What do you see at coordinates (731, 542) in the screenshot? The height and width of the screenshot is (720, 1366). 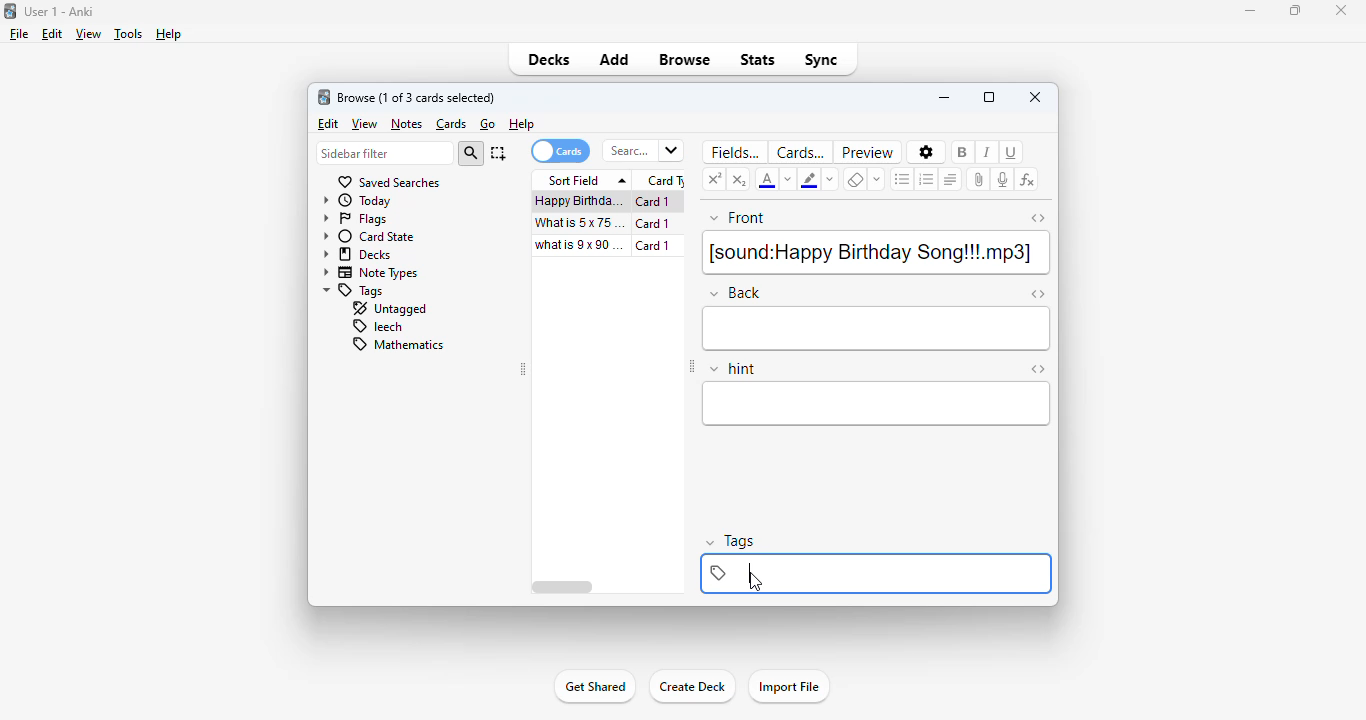 I see `tags` at bounding box center [731, 542].